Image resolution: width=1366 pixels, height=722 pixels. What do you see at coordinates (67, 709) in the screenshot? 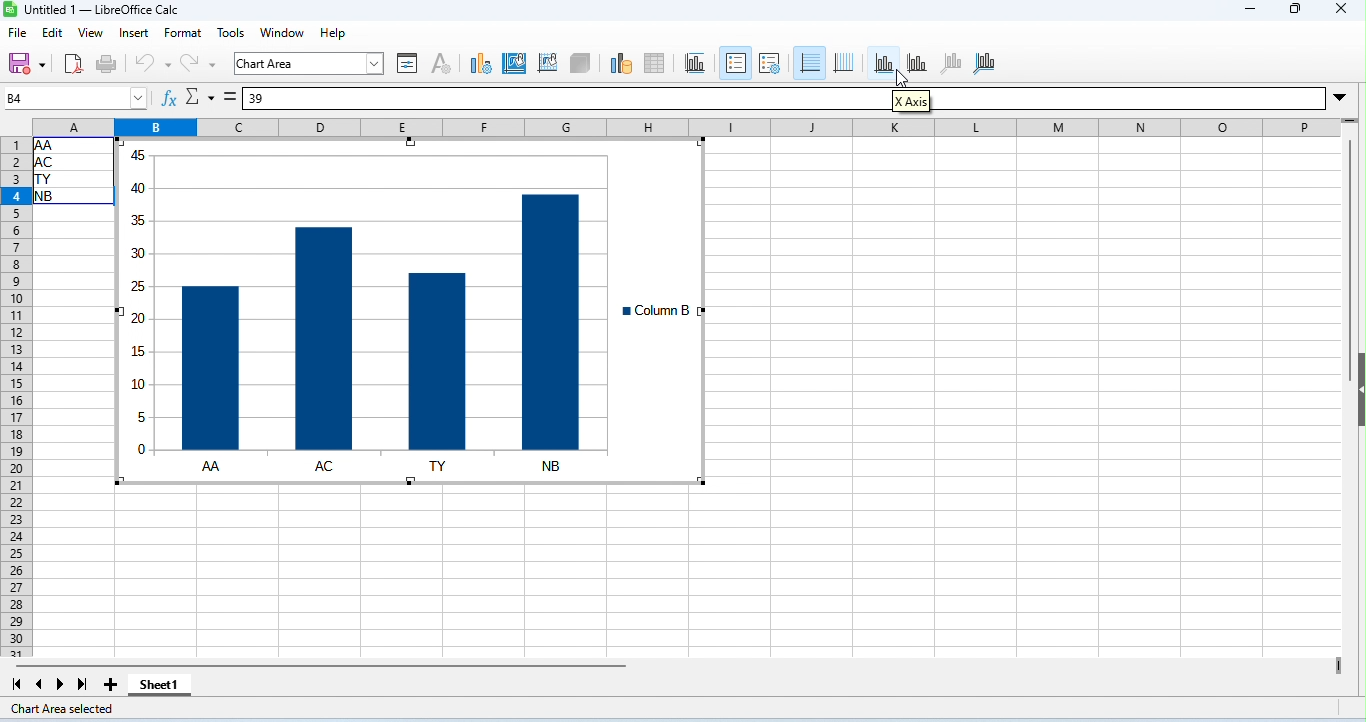
I see `chart area selected` at bounding box center [67, 709].